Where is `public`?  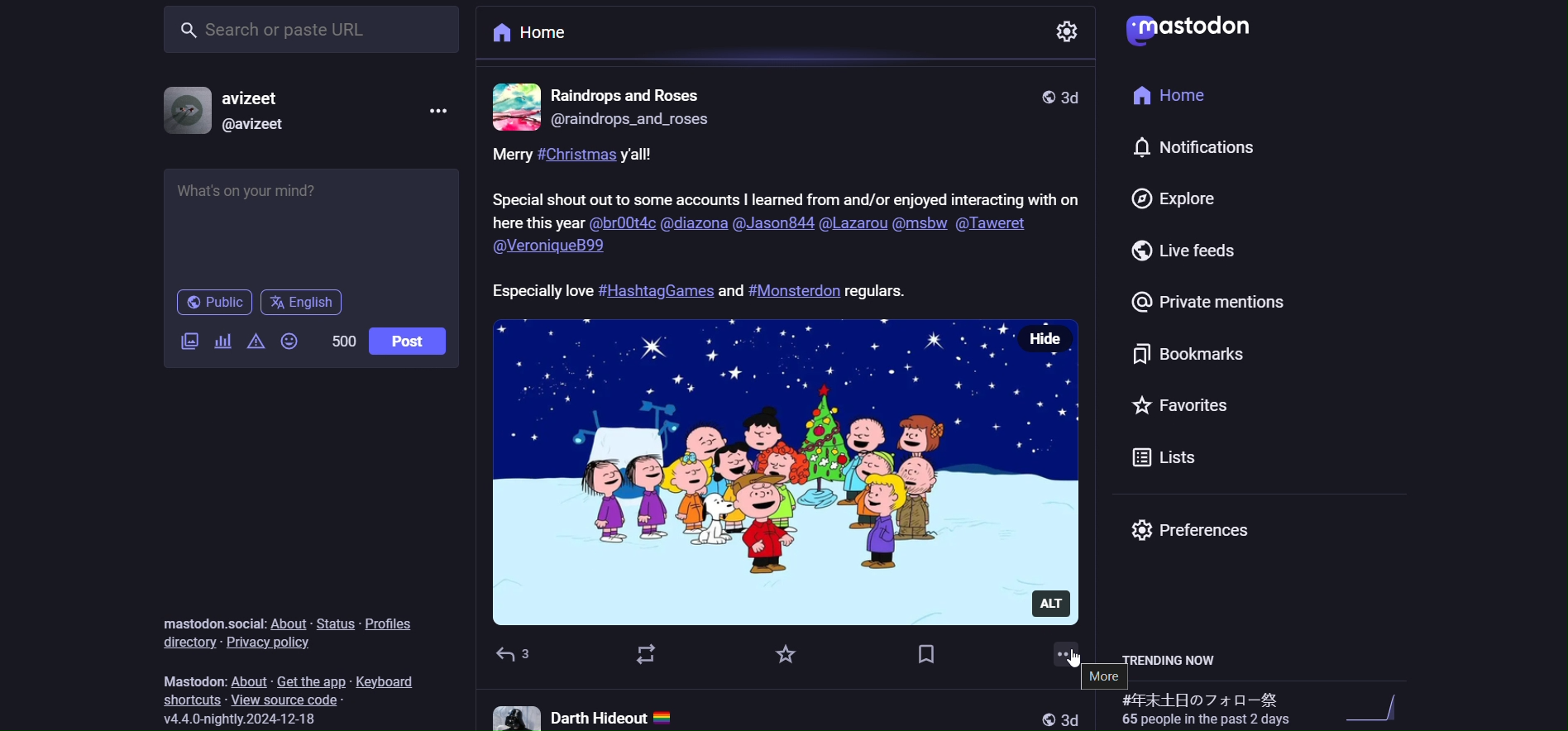 public is located at coordinates (212, 302).